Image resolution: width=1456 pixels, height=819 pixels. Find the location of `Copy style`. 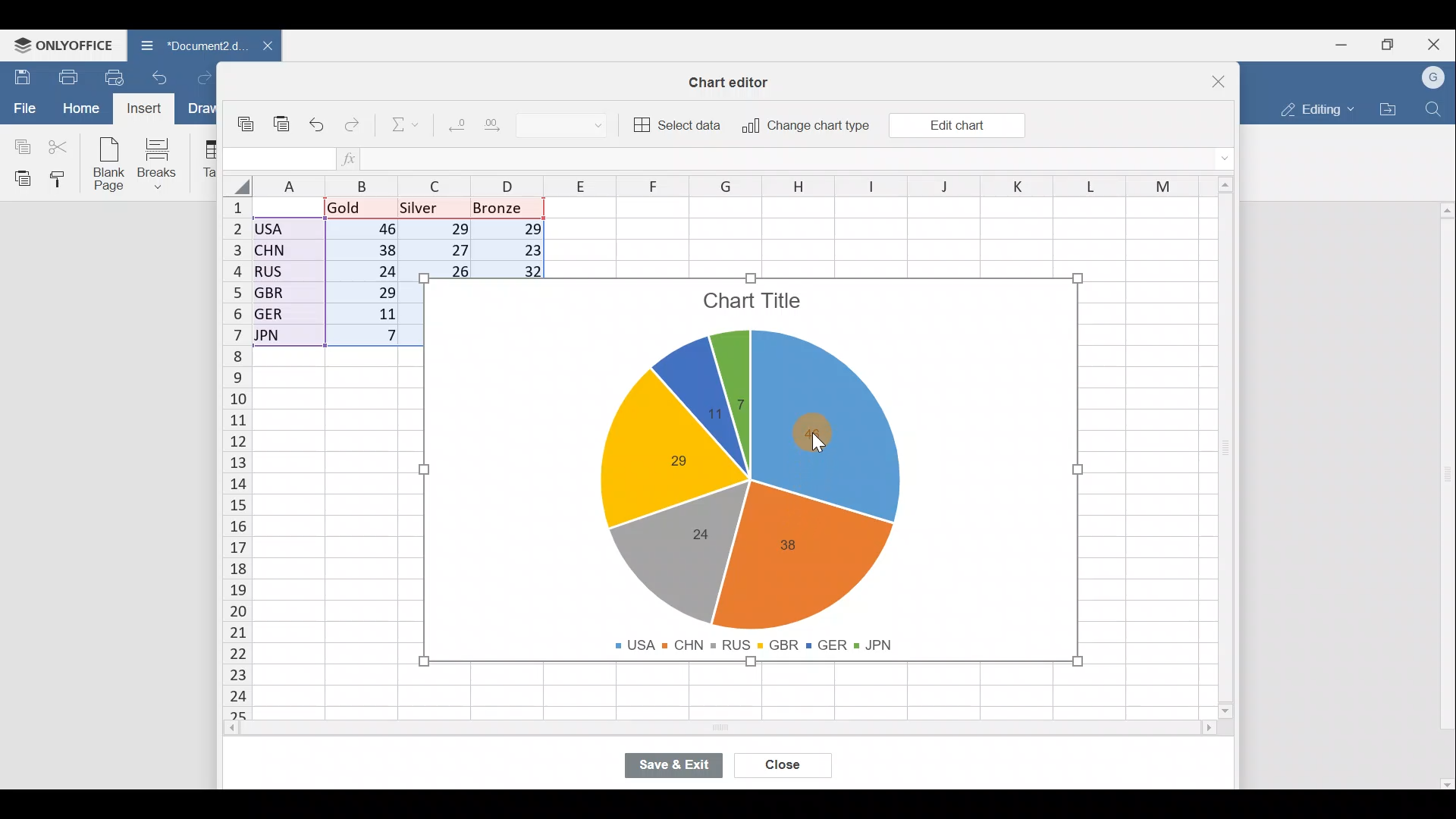

Copy style is located at coordinates (64, 178).